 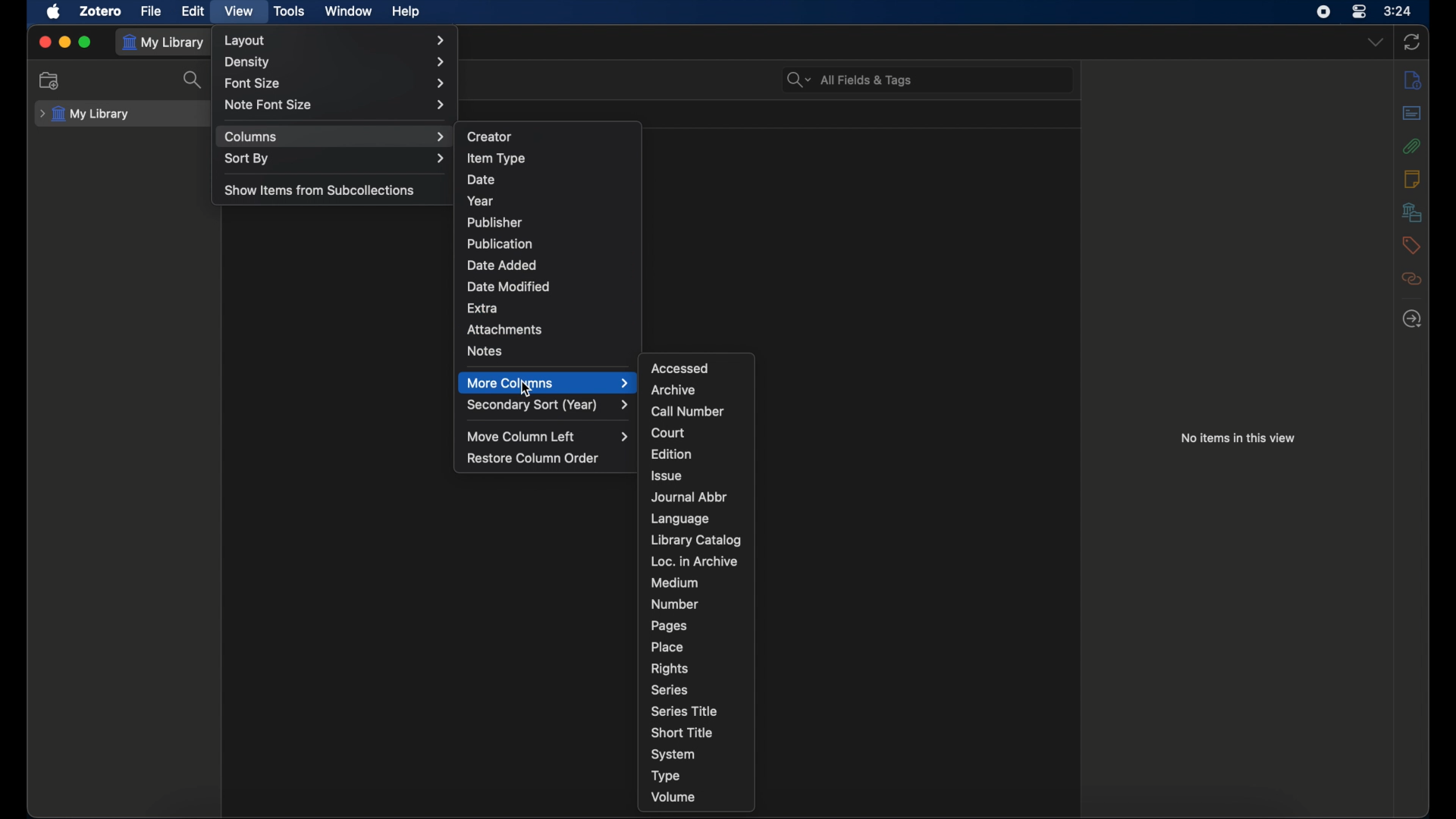 What do you see at coordinates (86, 42) in the screenshot?
I see `maximize` at bounding box center [86, 42].